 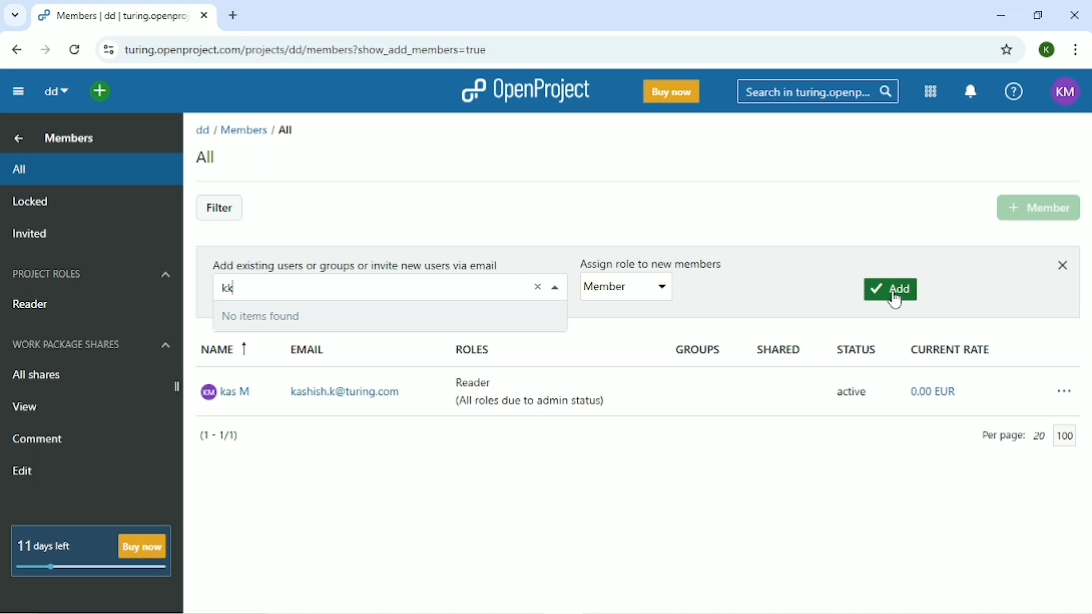 What do you see at coordinates (635, 286) in the screenshot?
I see `member` at bounding box center [635, 286].